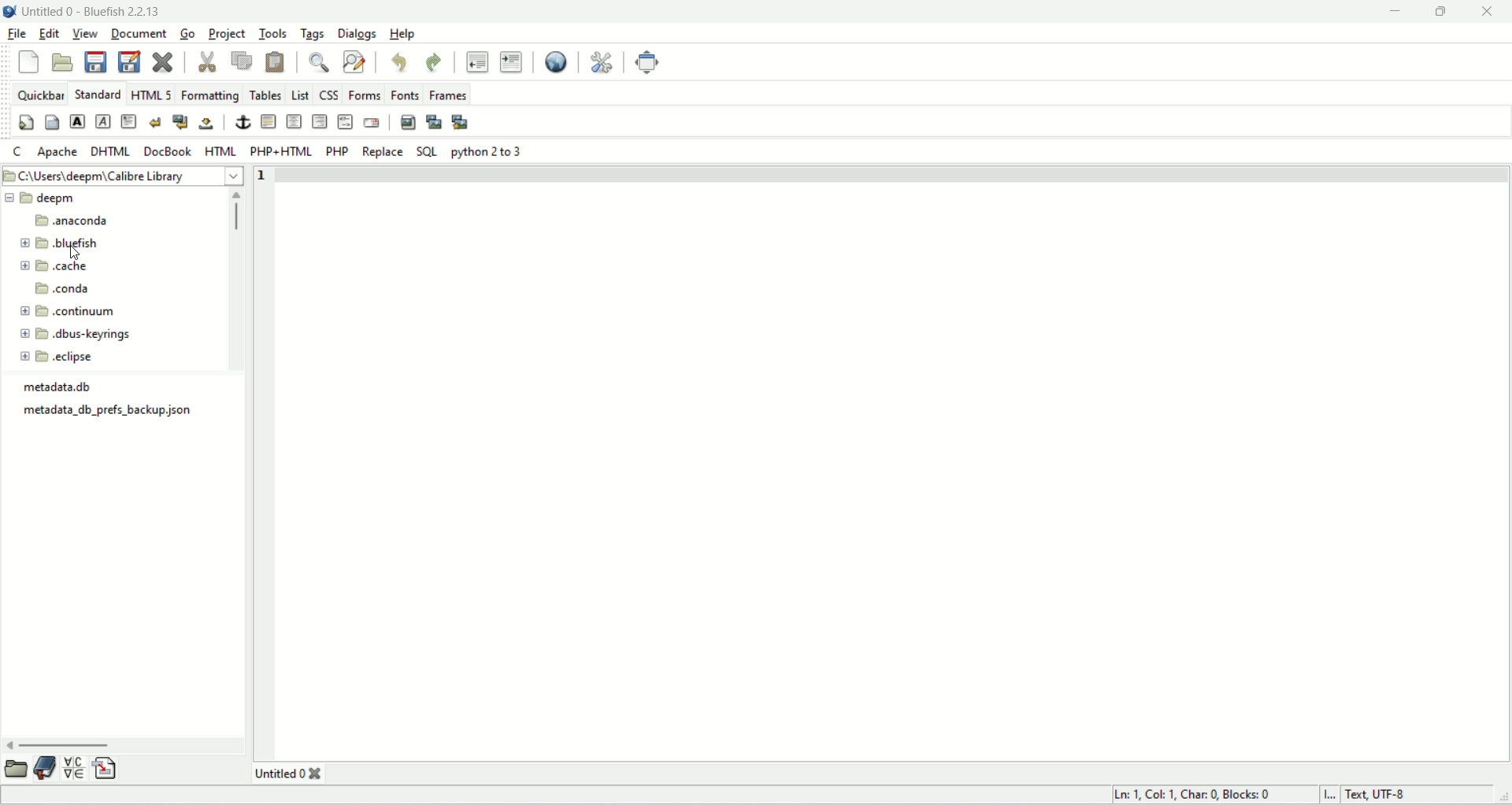  What do you see at coordinates (25, 121) in the screenshot?
I see `quickstart` at bounding box center [25, 121].